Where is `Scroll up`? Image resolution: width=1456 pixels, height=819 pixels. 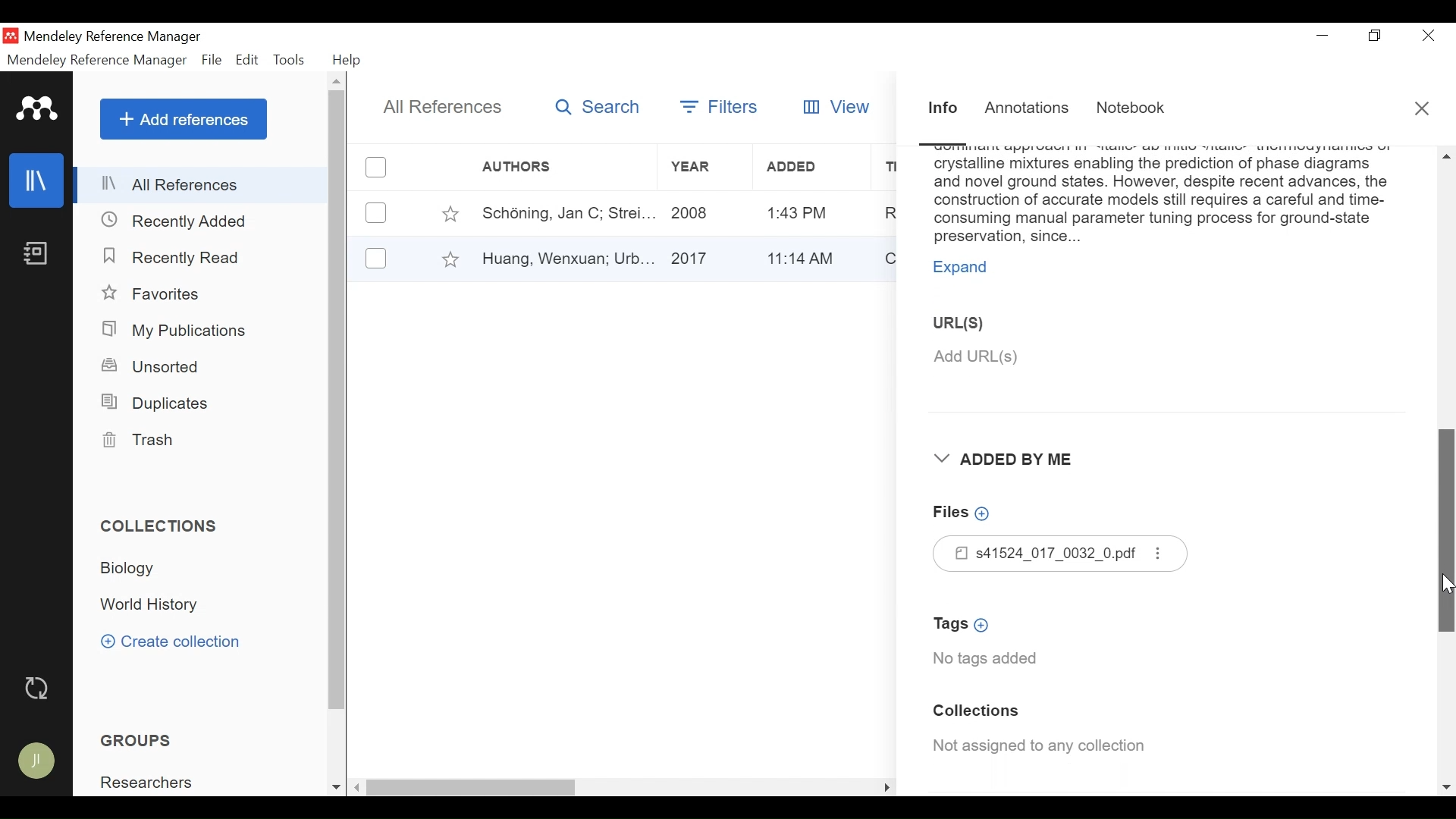
Scroll up is located at coordinates (1445, 155).